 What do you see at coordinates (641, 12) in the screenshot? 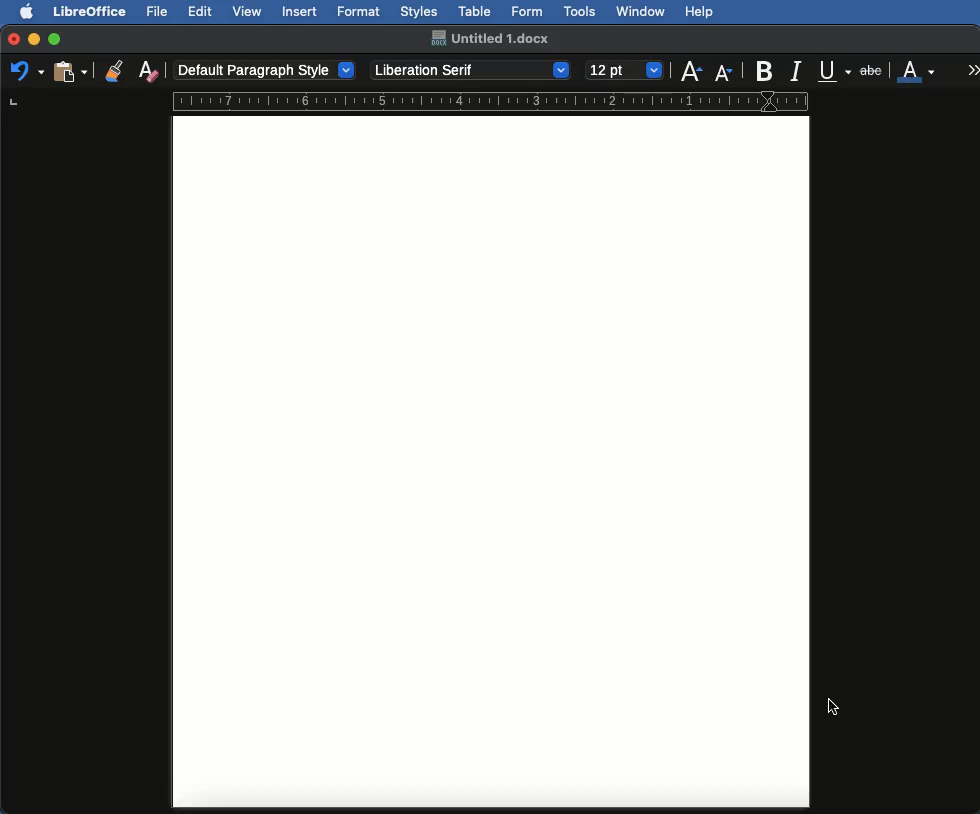
I see `Window` at bounding box center [641, 12].